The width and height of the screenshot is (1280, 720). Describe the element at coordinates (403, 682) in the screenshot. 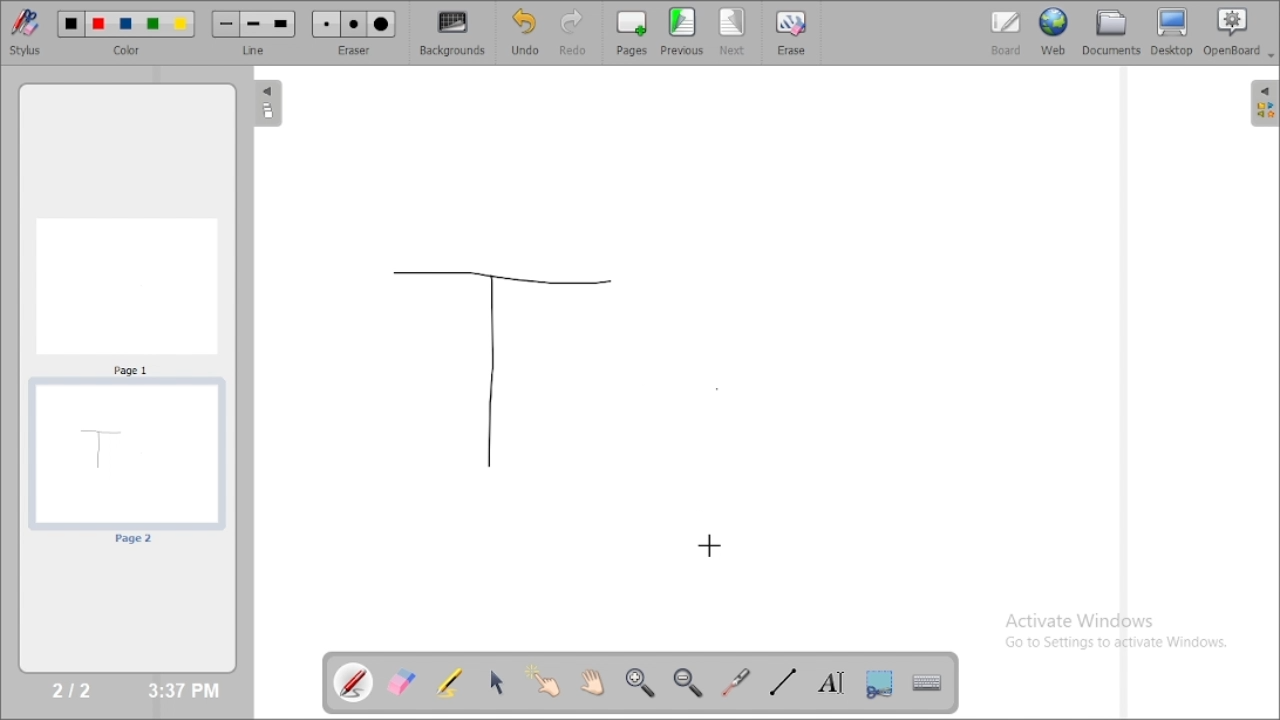

I see `erase annotation` at that location.